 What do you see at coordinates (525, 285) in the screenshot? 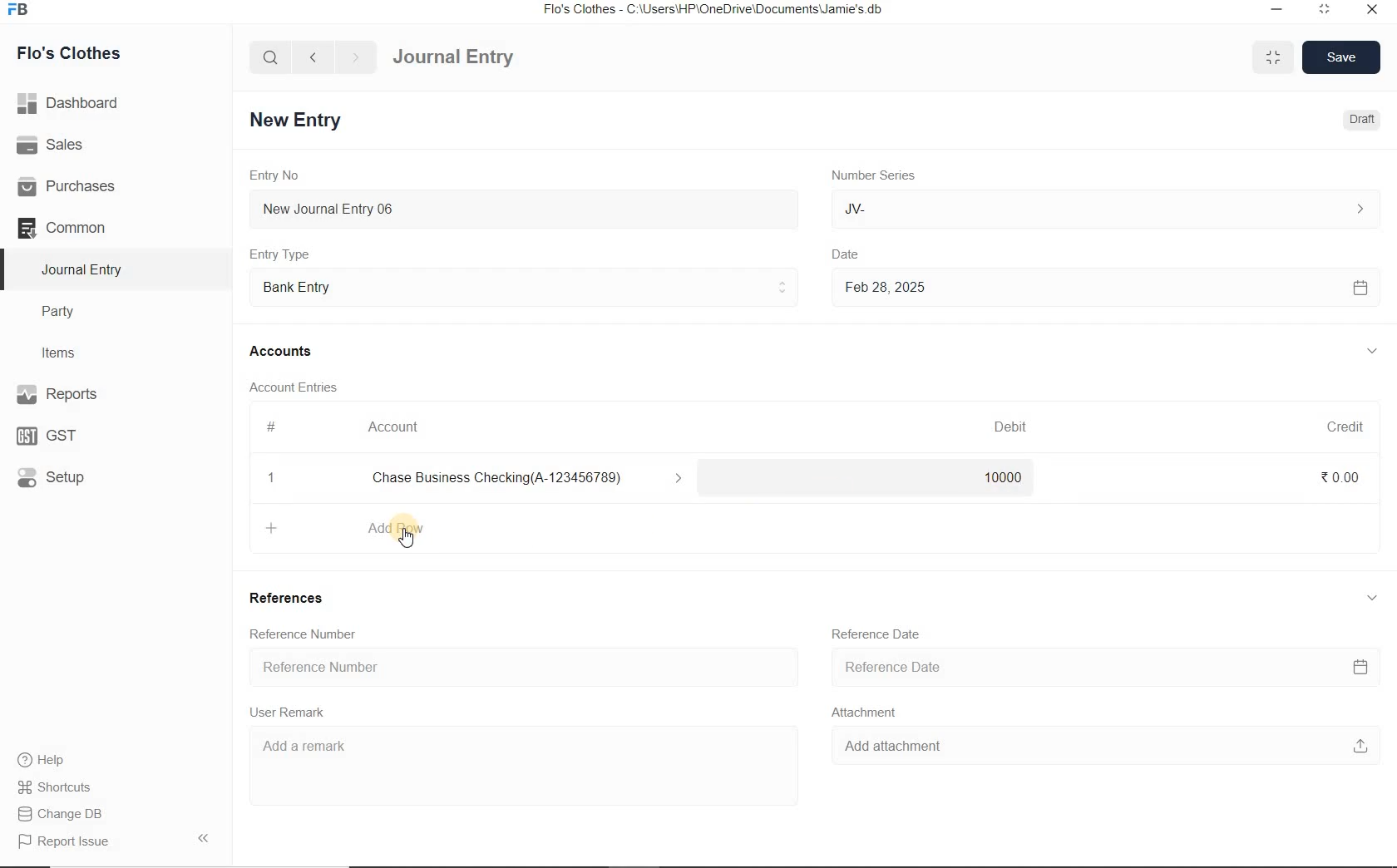
I see `Entry Type` at bounding box center [525, 285].